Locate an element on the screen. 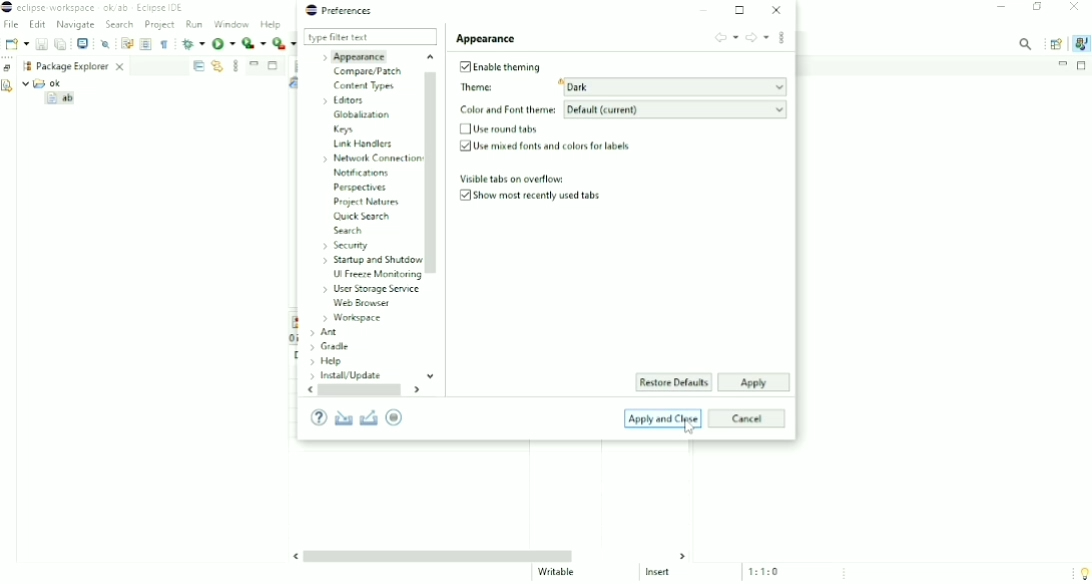  Close is located at coordinates (776, 10).